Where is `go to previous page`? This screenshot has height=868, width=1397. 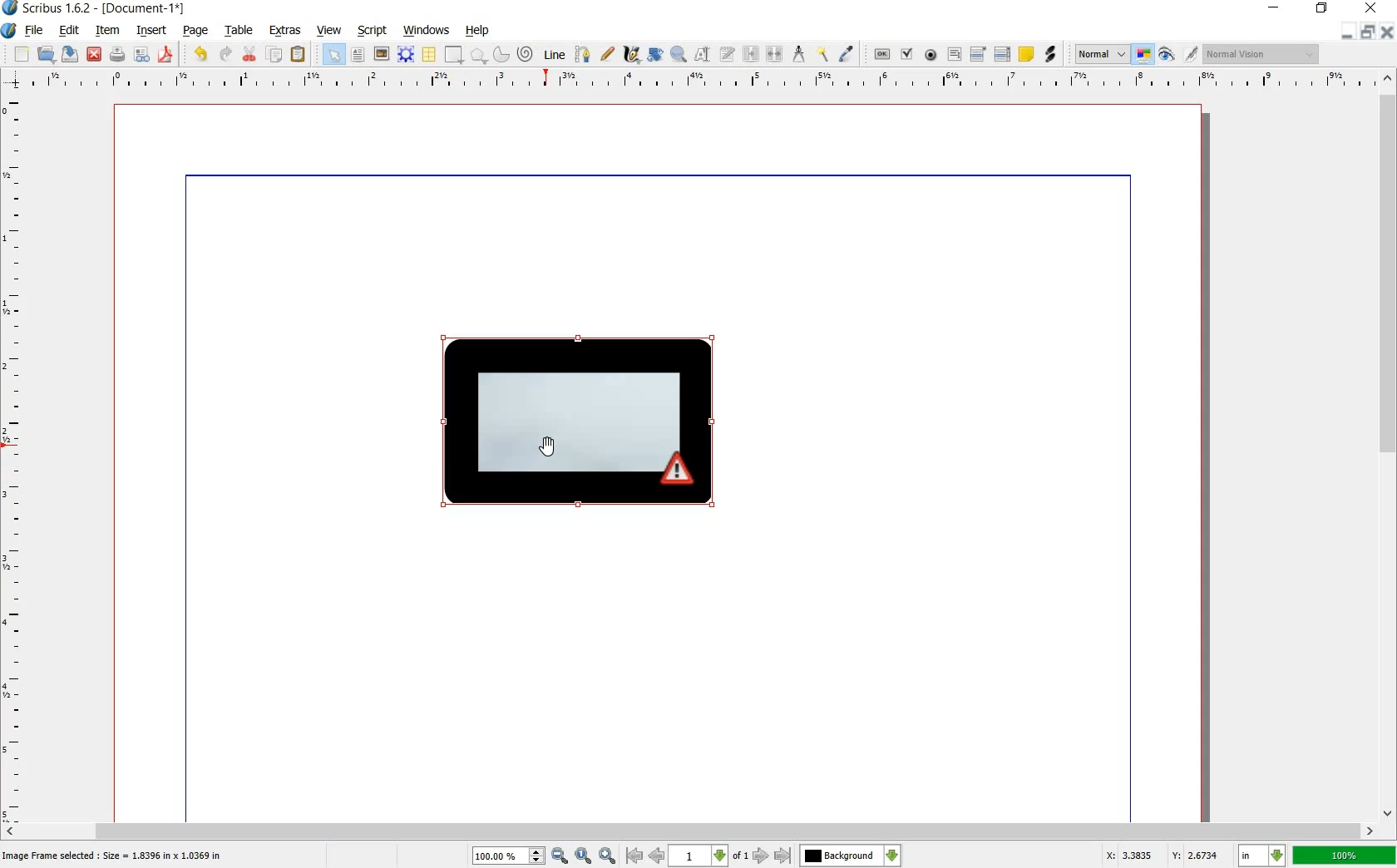 go to previous page is located at coordinates (656, 855).